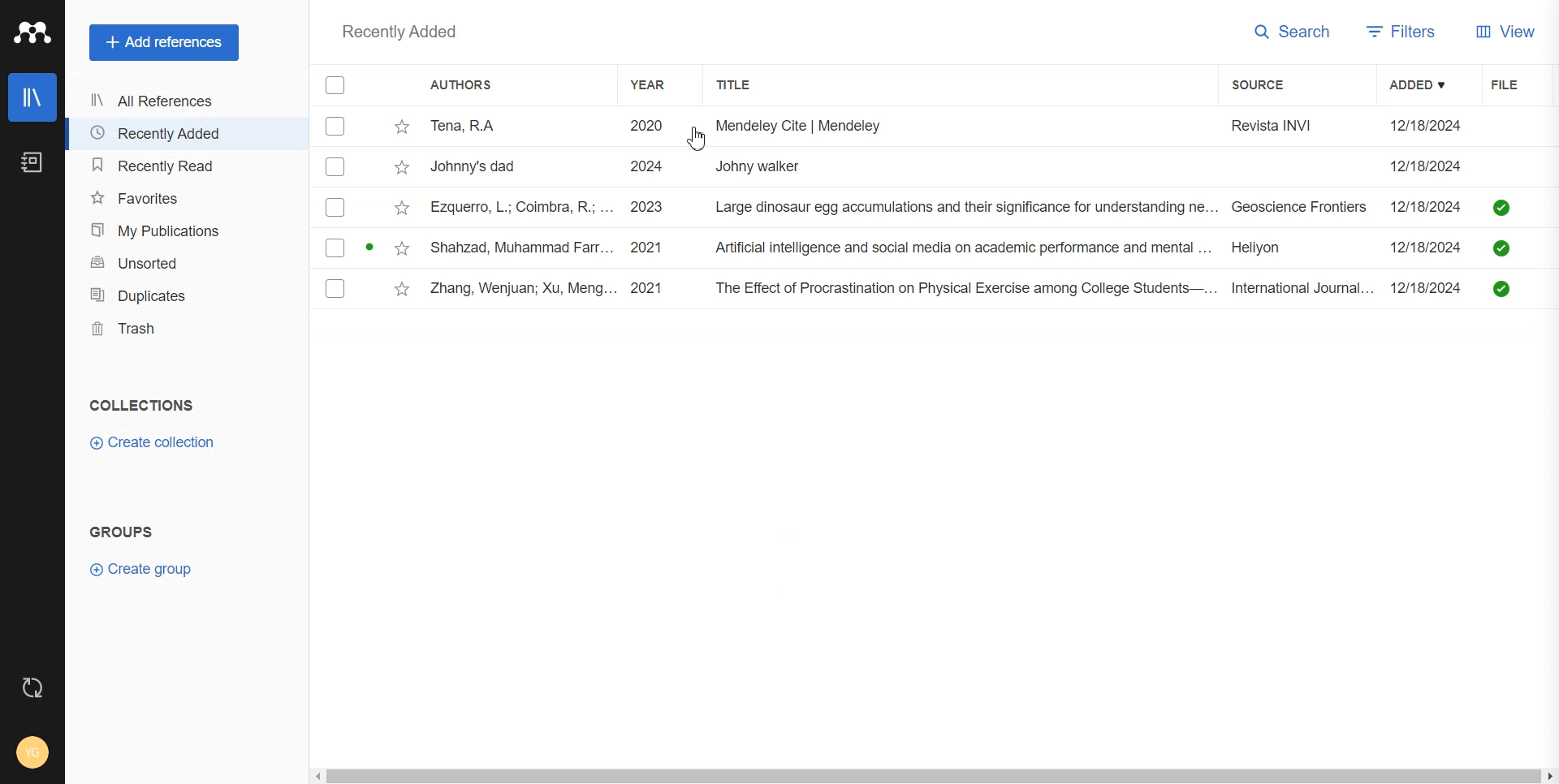  I want to click on Trash, so click(188, 328).